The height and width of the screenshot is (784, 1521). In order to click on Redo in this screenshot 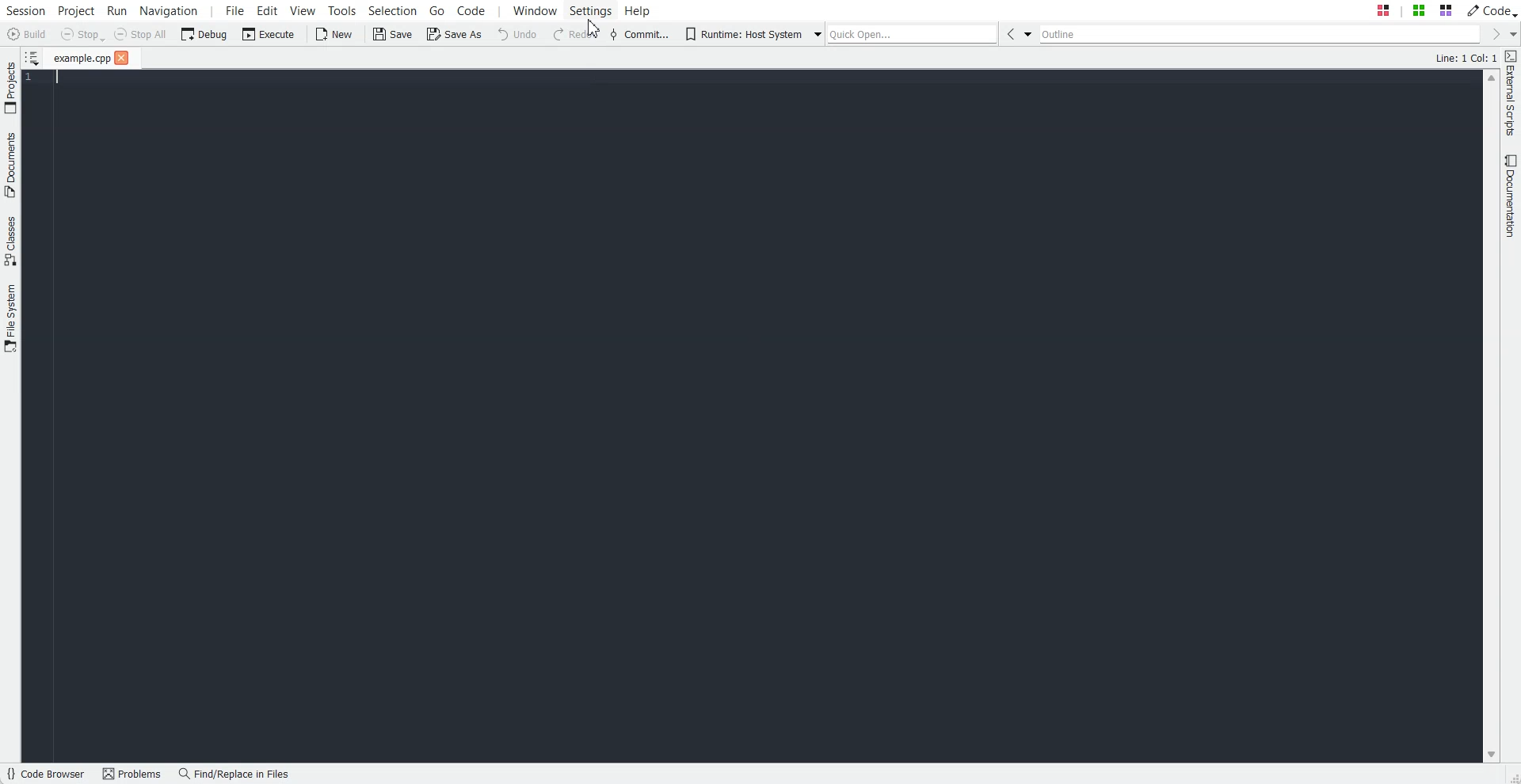, I will do `click(576, 34)`.